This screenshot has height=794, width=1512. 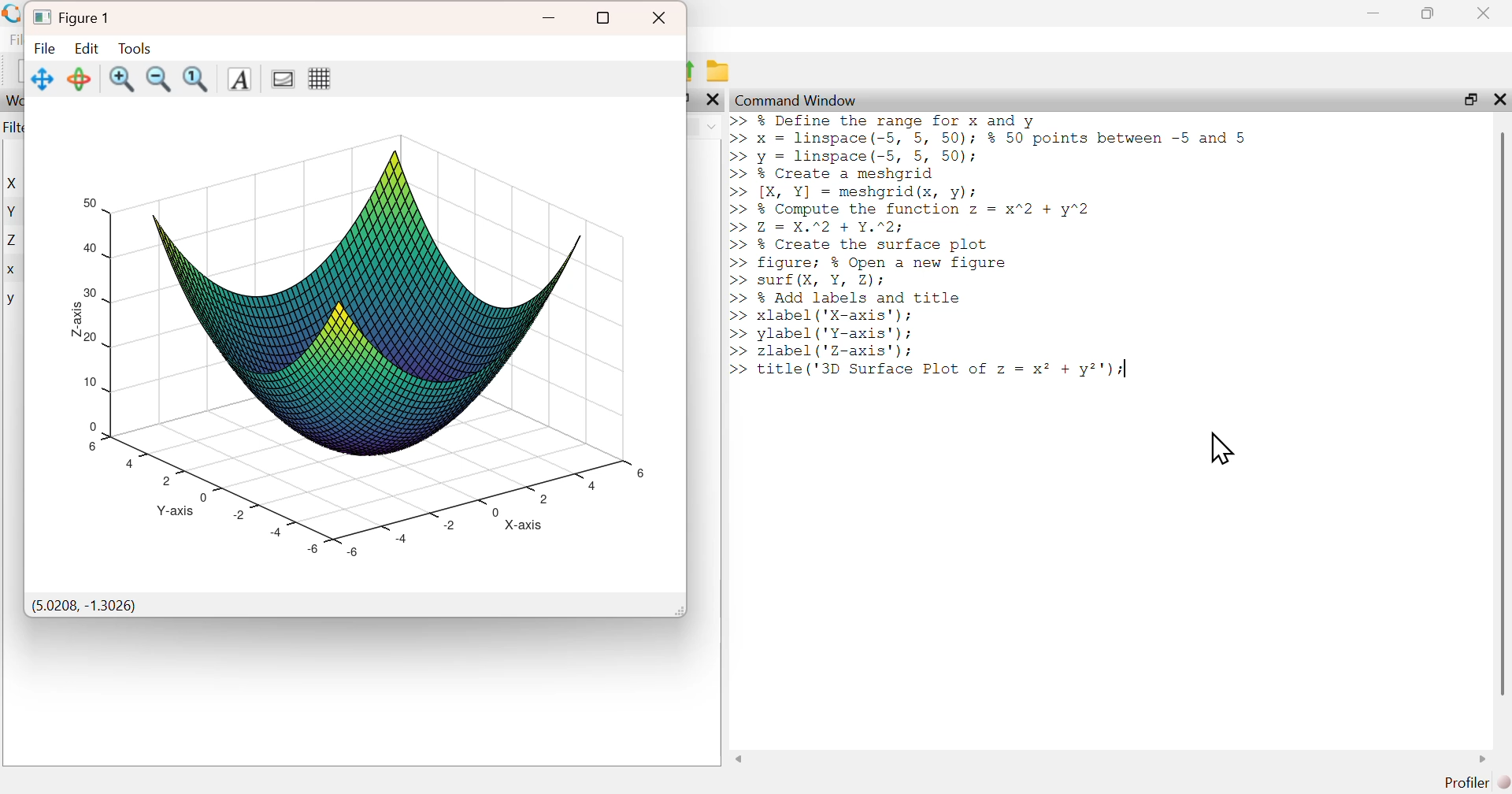 What do you see at coordinates (798, 100) in the screenshot?
I see `Command Window` at bounding box center [798, 100].